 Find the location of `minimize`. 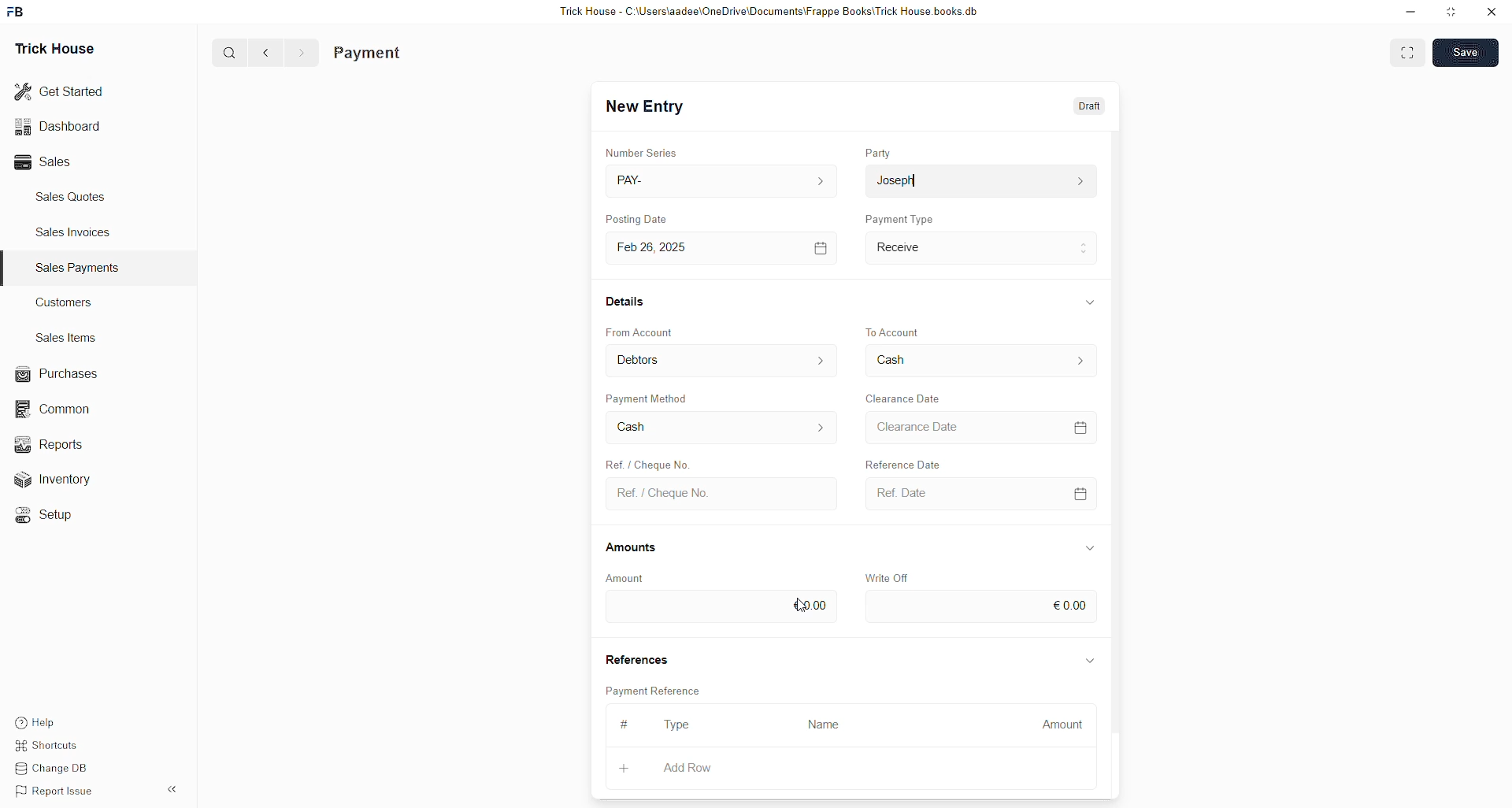

minimize is located at coordinates (1411, 13).